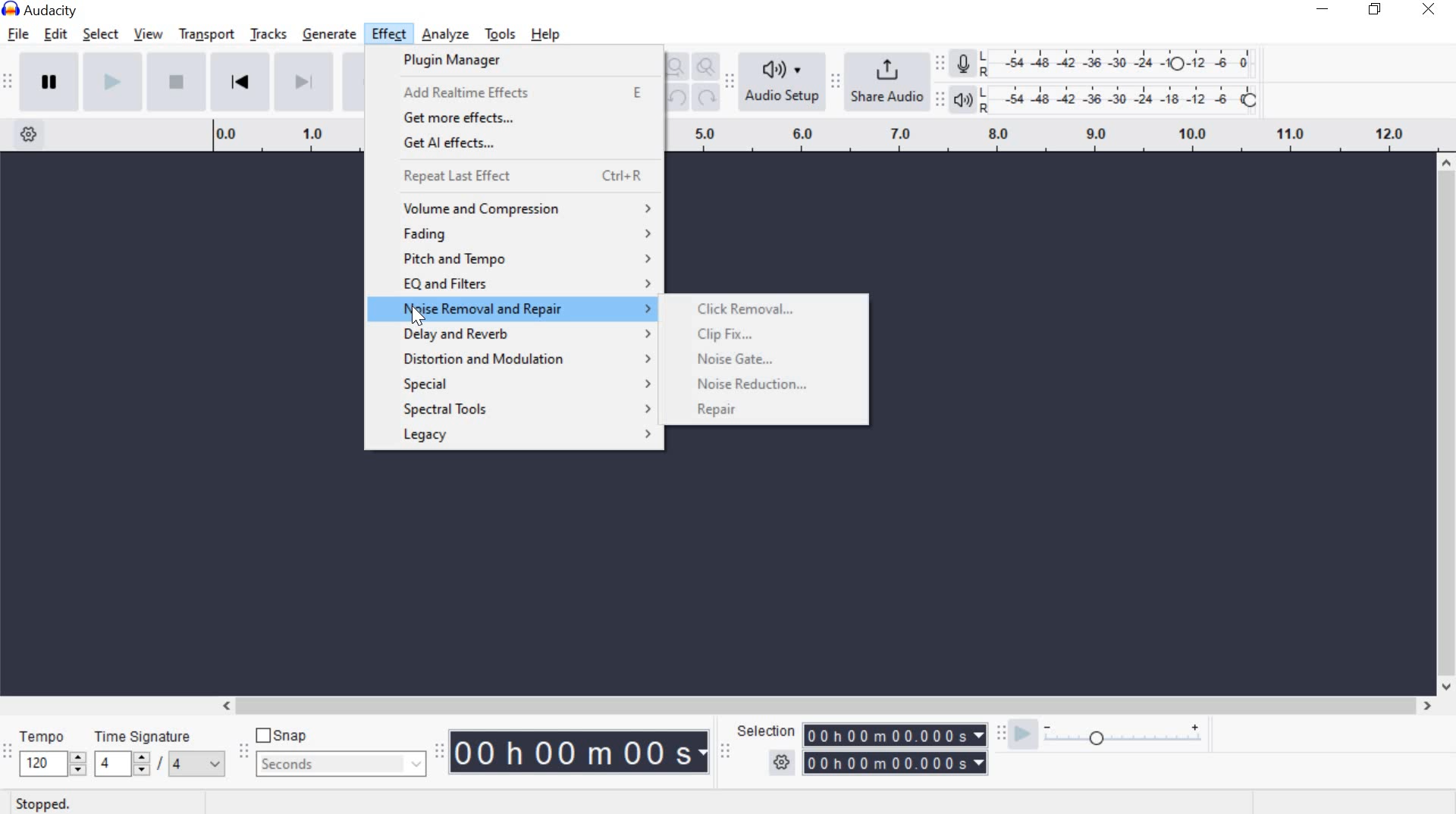 This screenshot has height=814, width=1456. What do you see at coordinates (1432, 11) in the screenshot?
I see `close` at bounding box center [1432, 11].